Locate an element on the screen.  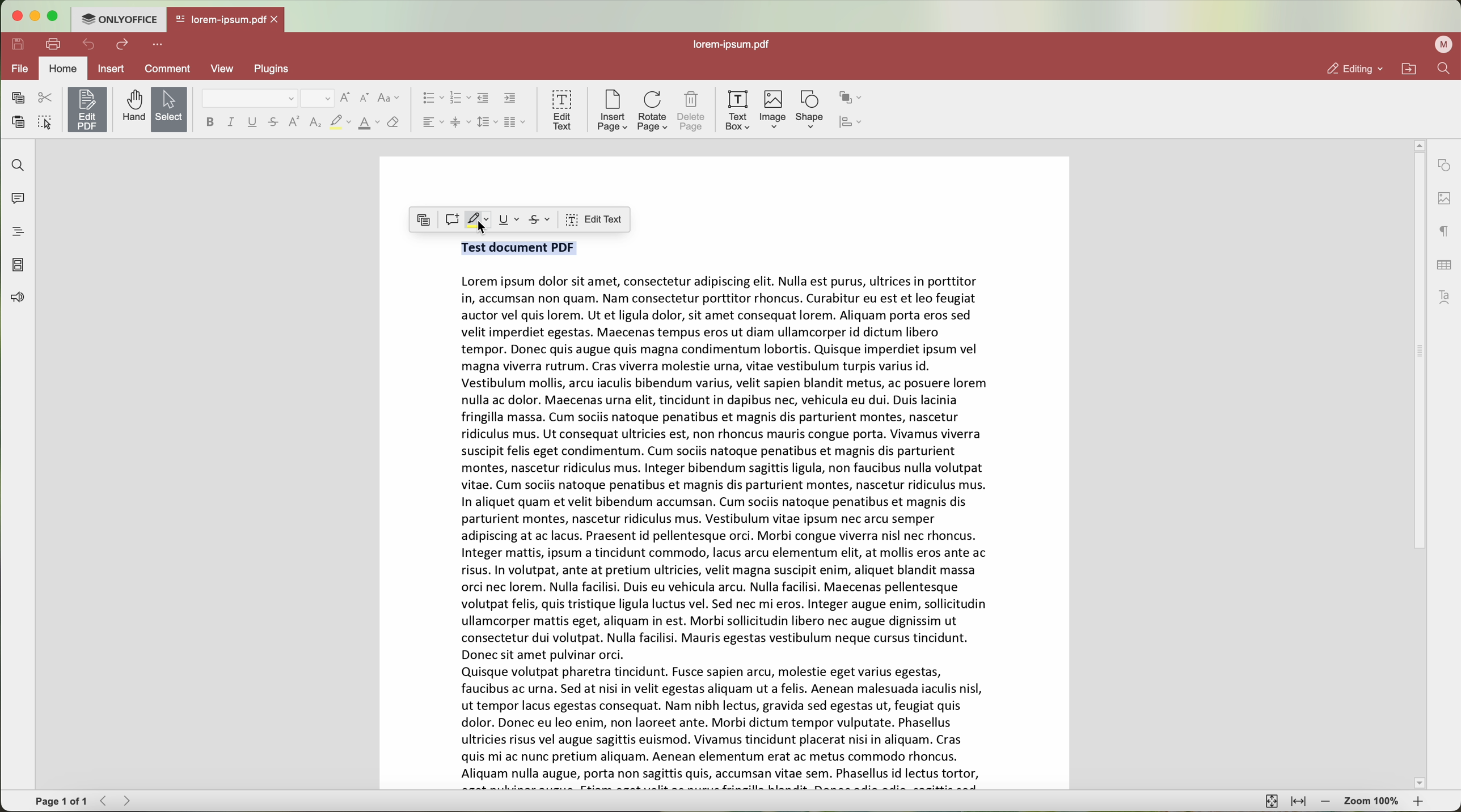
find is located at coordinates (1445, 69).